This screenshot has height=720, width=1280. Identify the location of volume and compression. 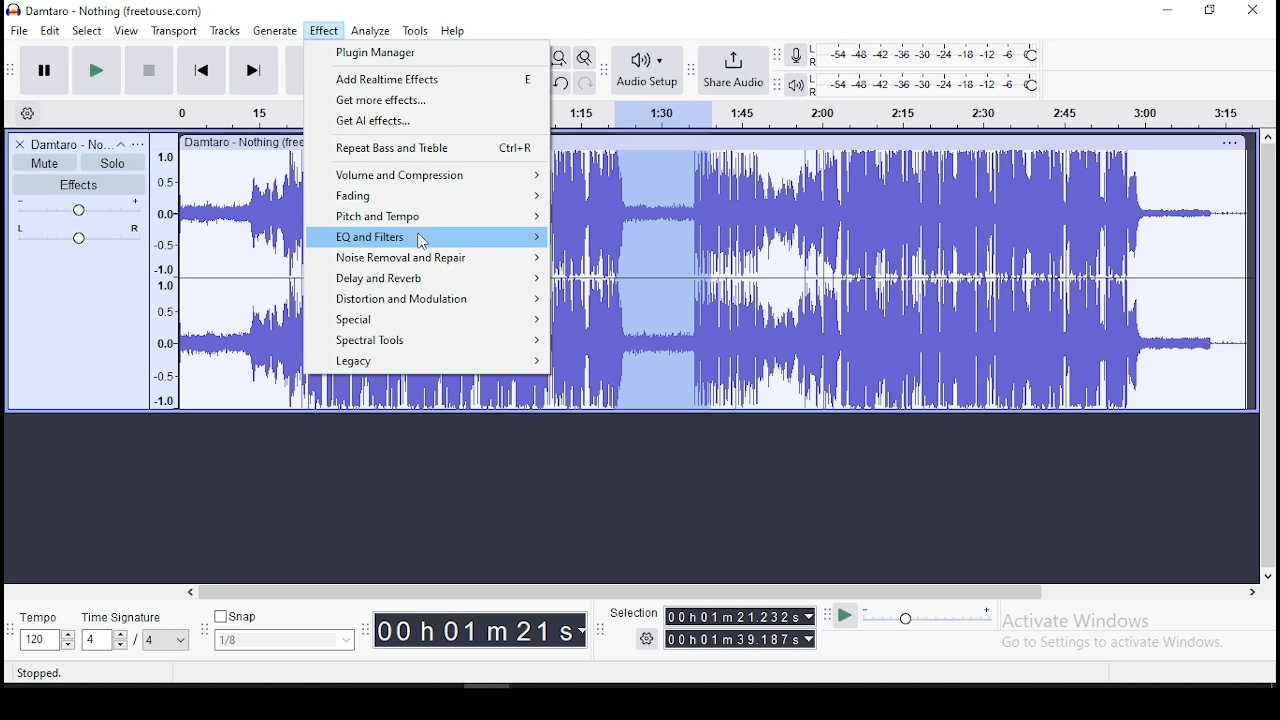
(427, 173).